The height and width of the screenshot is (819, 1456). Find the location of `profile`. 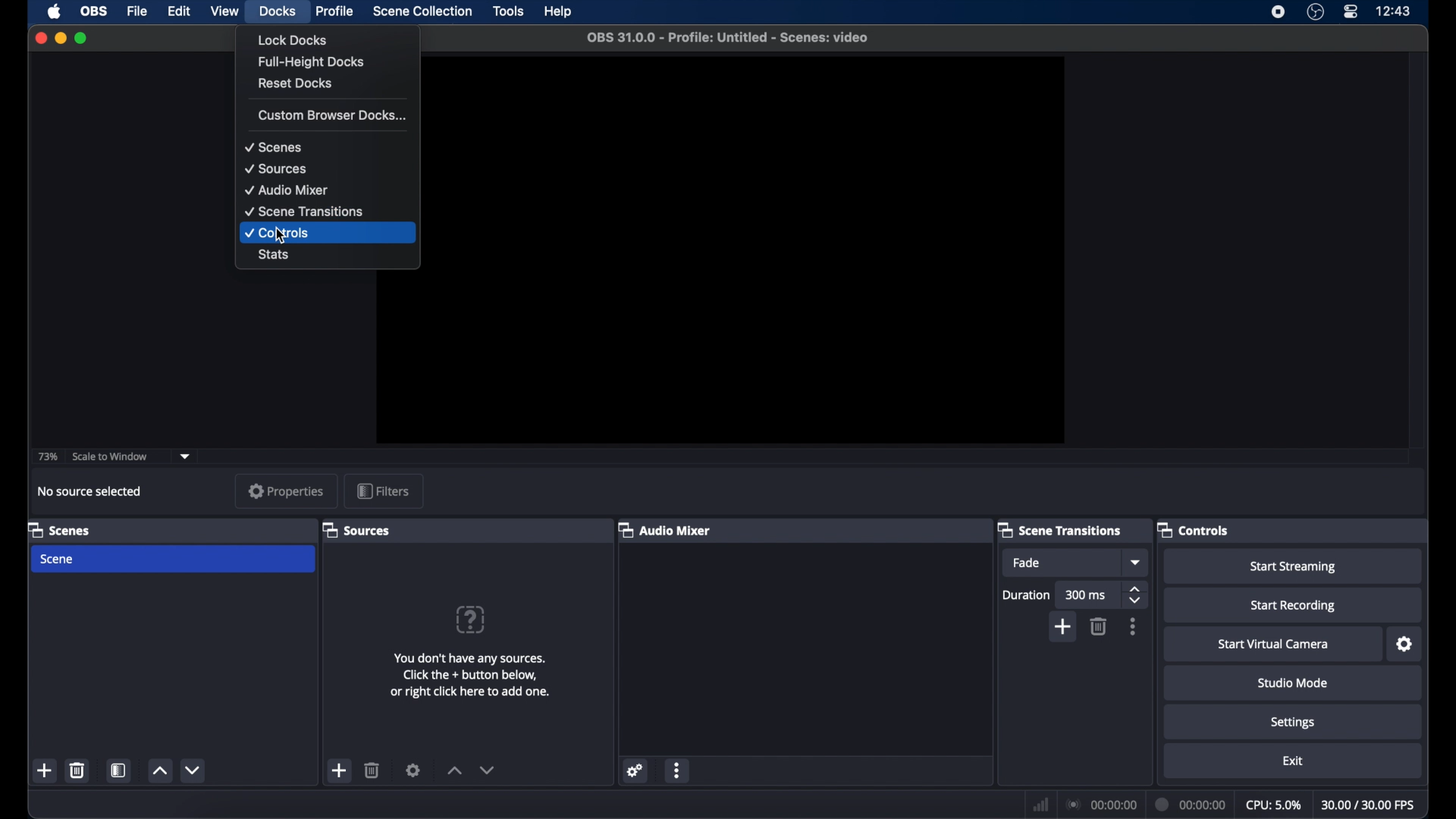

profile is located at coordinates (335, 11).